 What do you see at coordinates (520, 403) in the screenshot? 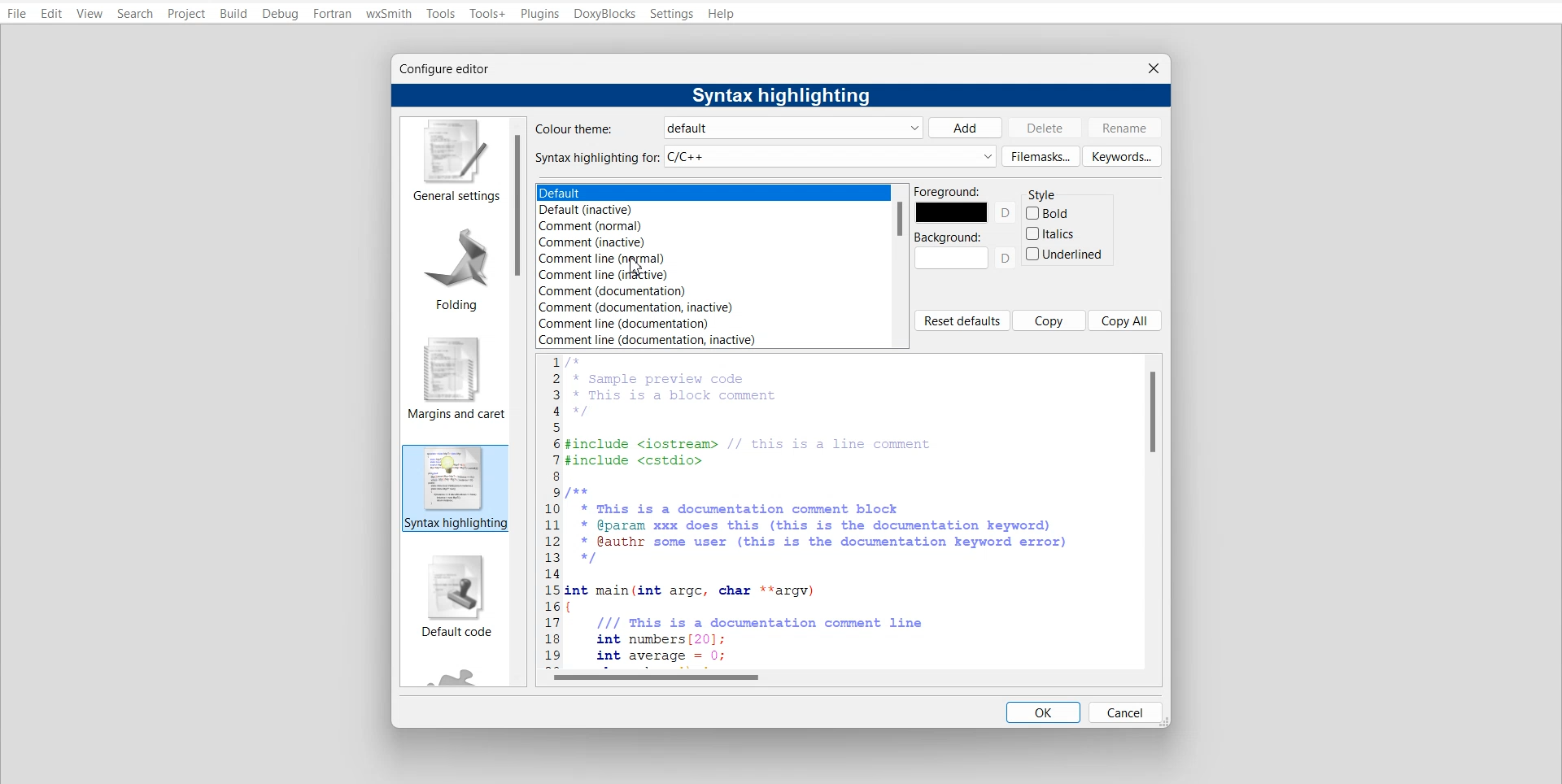
I see `Vertical scroll bar` at bounding box center [520, 403].